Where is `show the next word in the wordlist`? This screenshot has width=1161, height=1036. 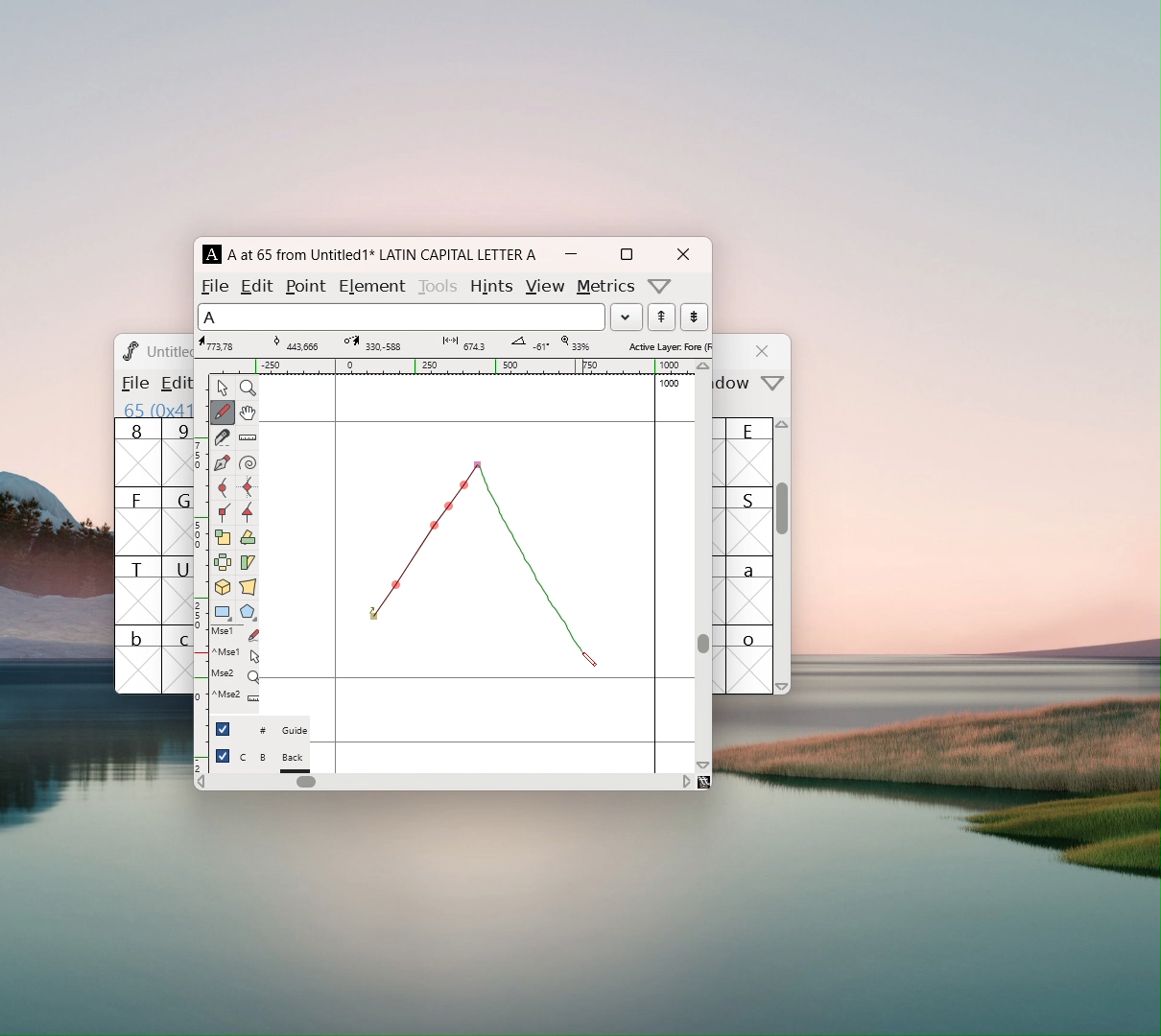
show the next word in the wordlist is located at coordinates (661, 318).